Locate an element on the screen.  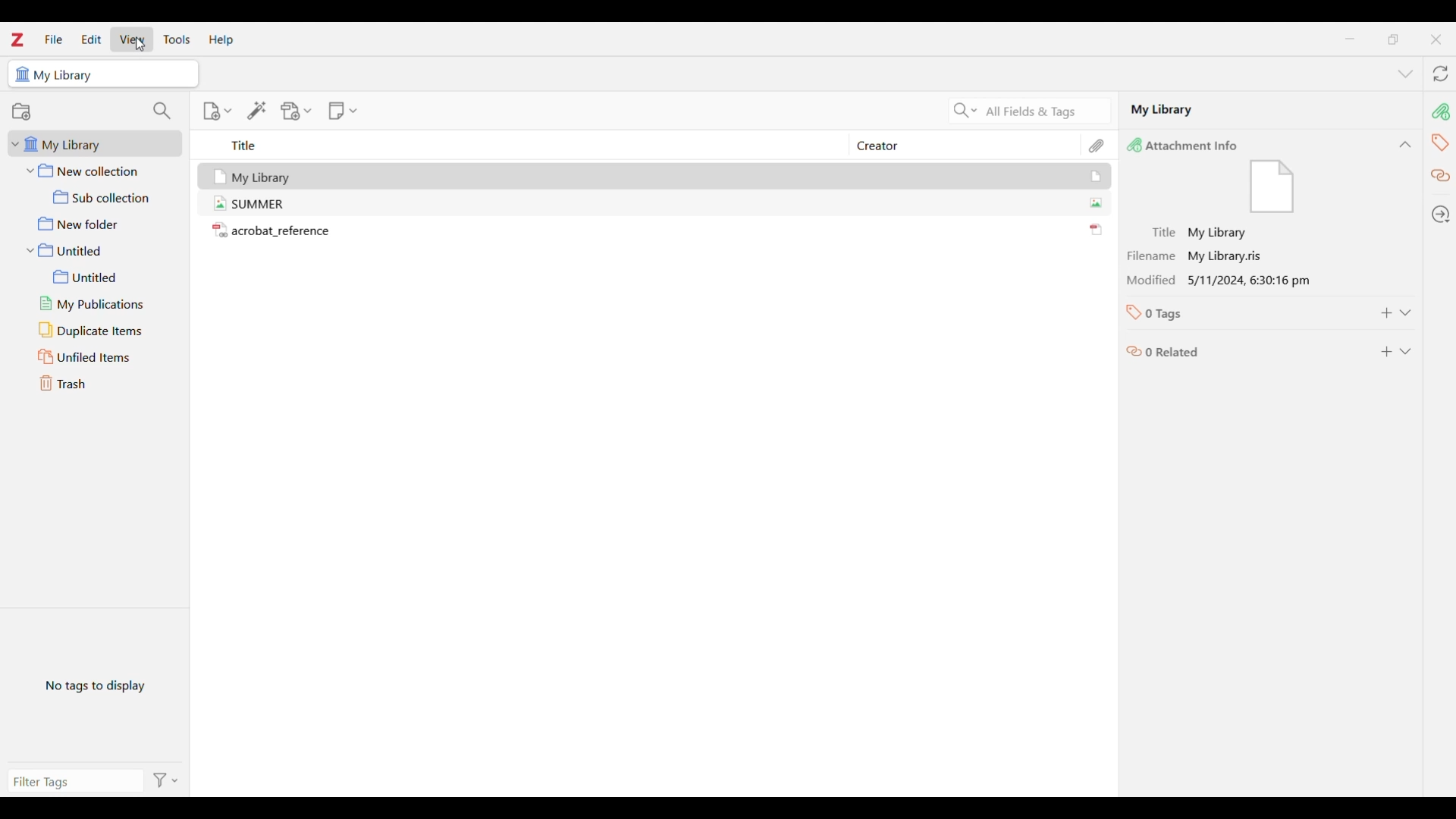
Creator column is located at coordinates (950, 145).